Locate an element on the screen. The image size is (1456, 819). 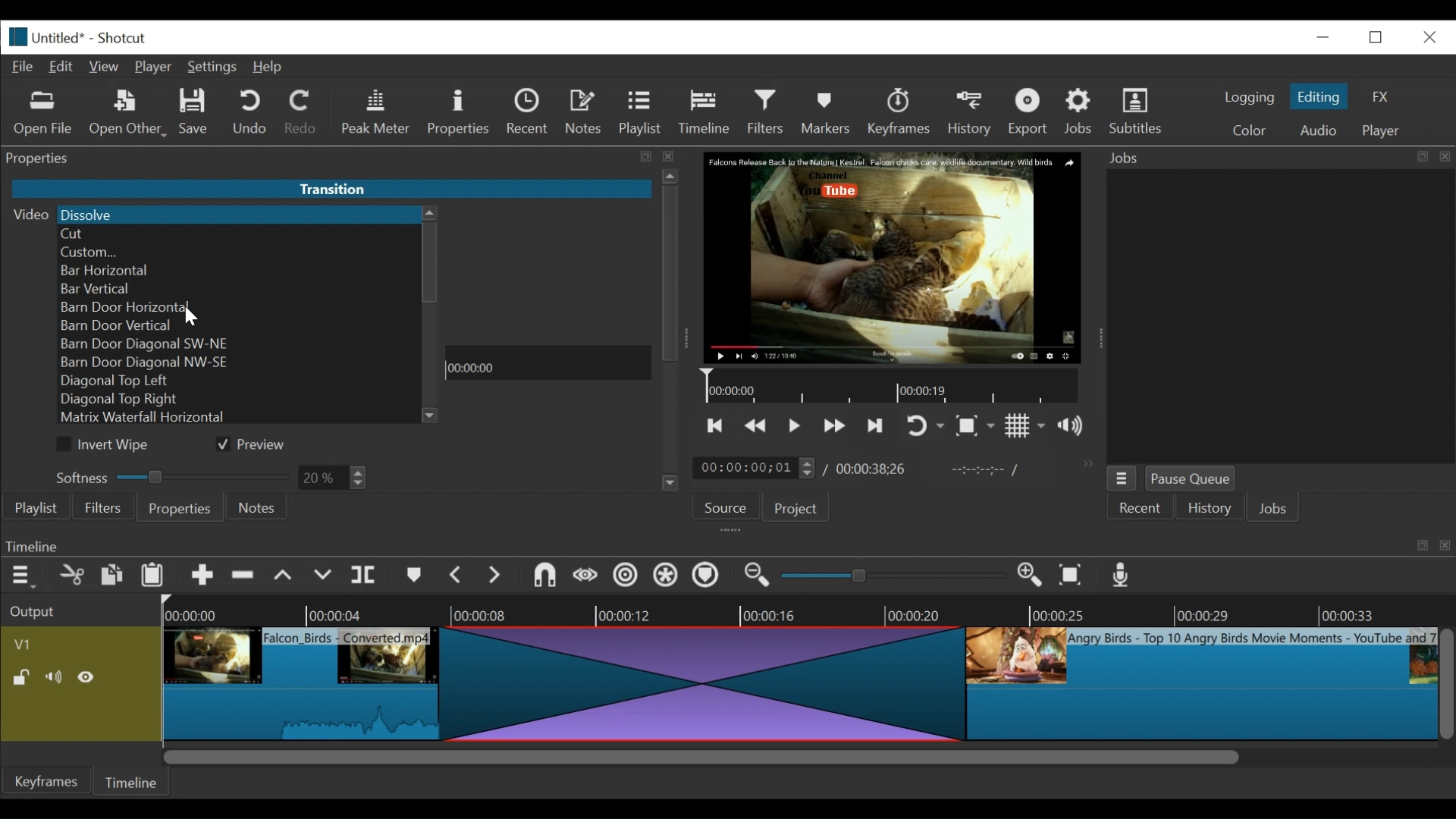
History is located at coordinates (1210, 510).